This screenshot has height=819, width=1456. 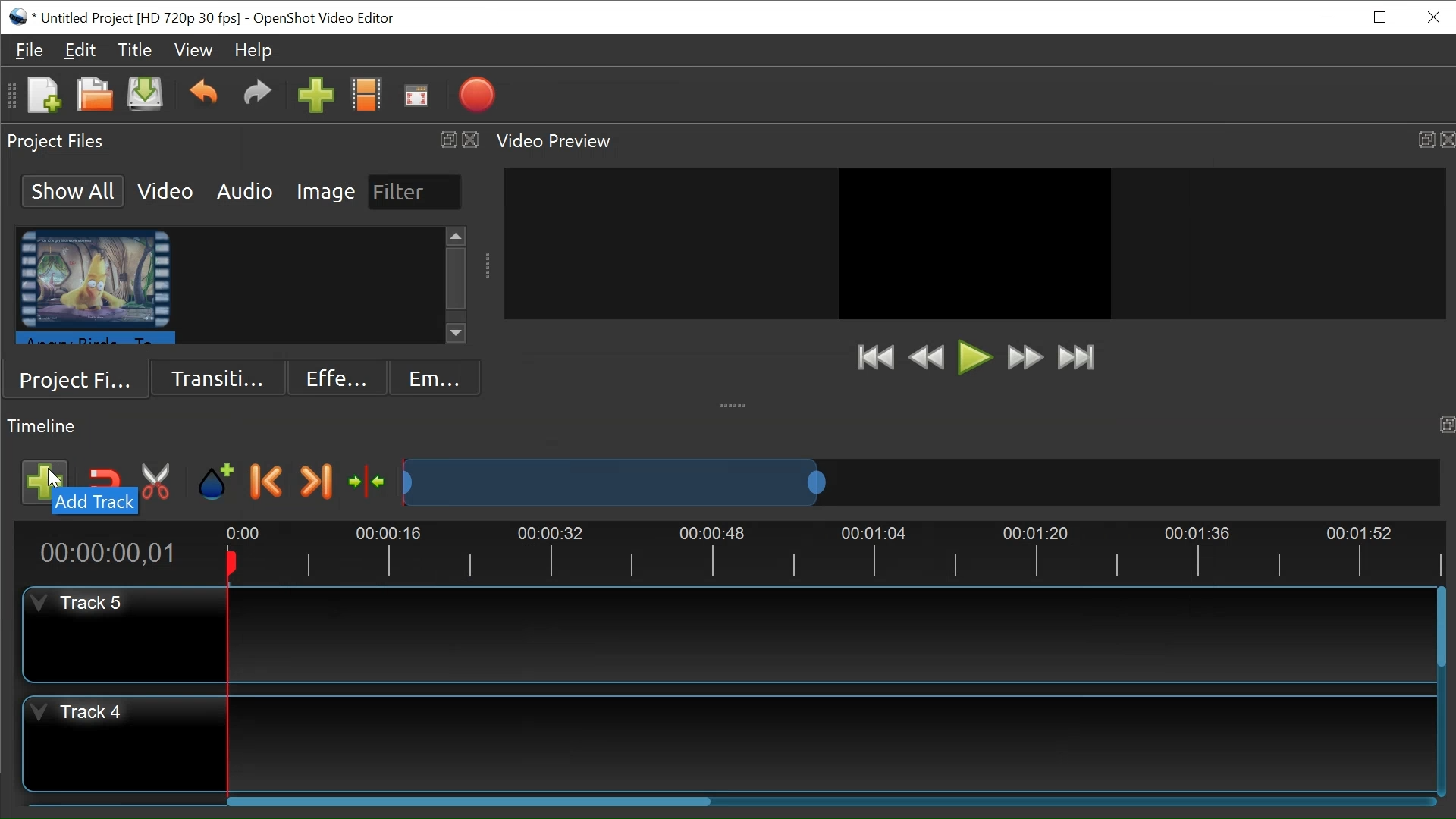 I want to click on Vertical Scroll bar, so click(x=457, y=277).